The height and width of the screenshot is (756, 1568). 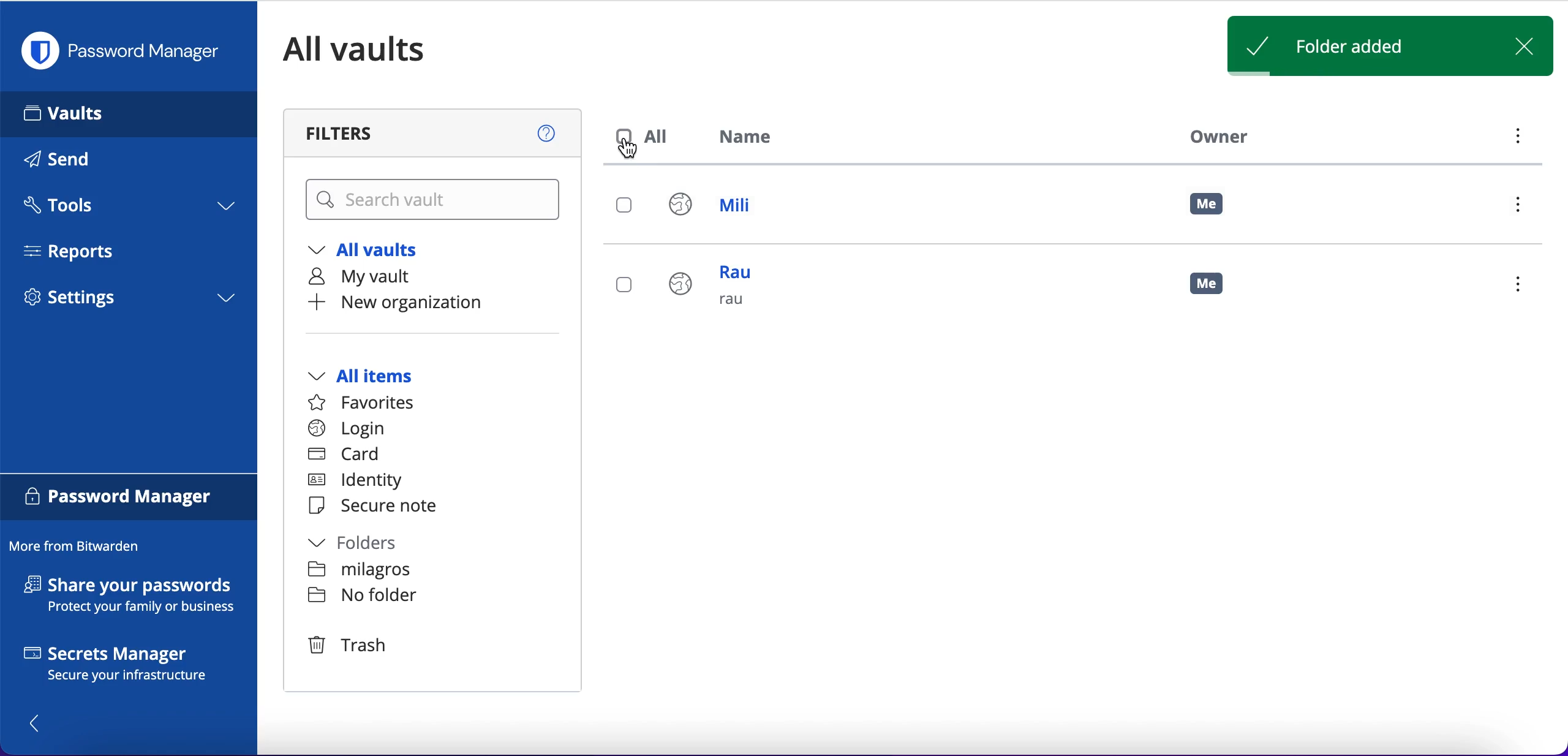 I want to click on login, so click(x=347, y=429).